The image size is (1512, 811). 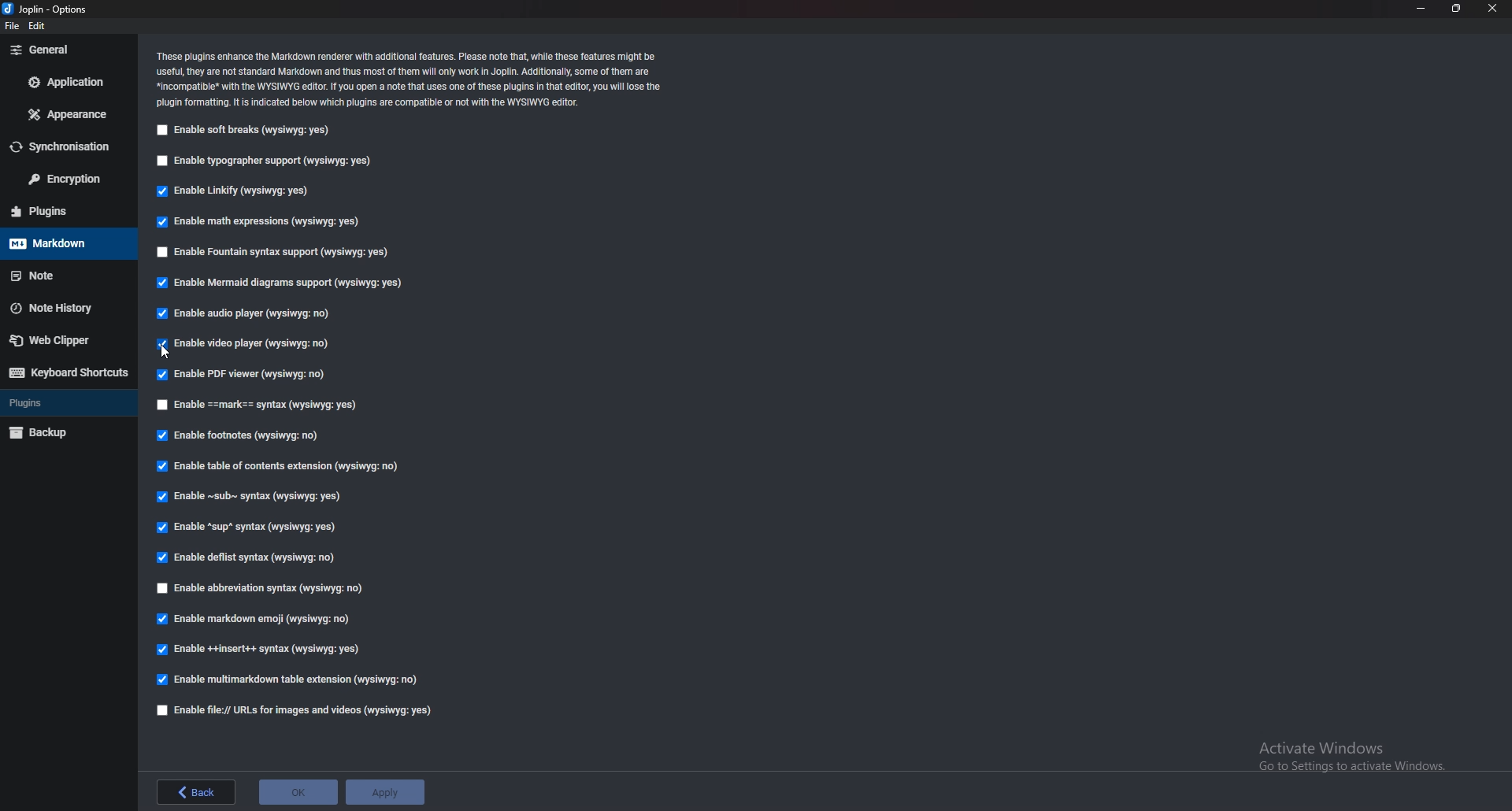 What do you see at coordinates (237, 192) in the screenshot?
I see `Enable linkify (wysiqyg:yes)` at bounding box center [237, 192].